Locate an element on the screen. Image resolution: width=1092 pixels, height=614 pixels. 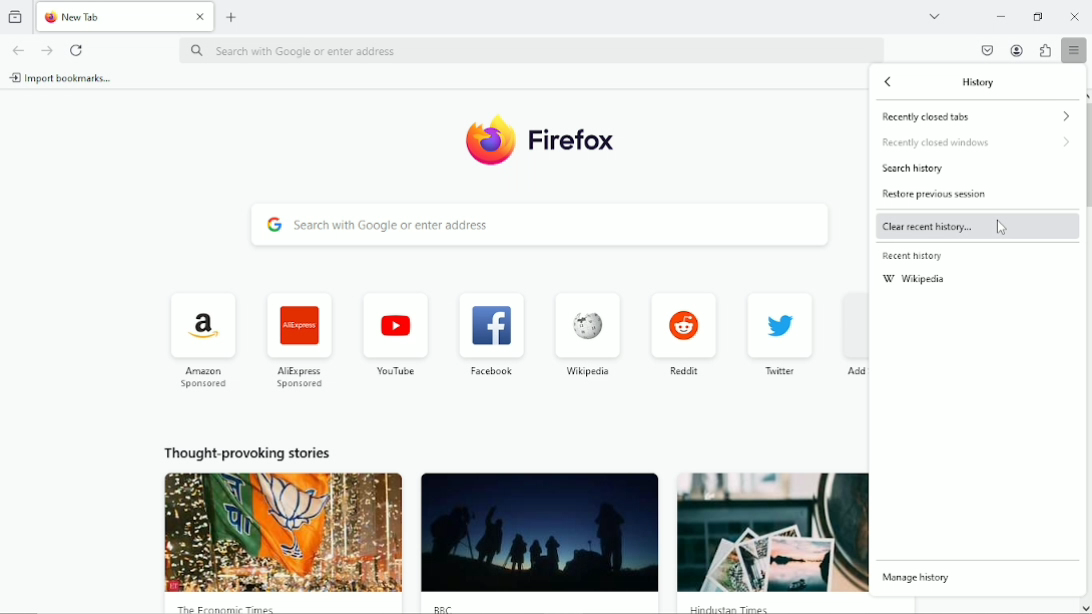
Minimize is located at coordinates (1002, 15).